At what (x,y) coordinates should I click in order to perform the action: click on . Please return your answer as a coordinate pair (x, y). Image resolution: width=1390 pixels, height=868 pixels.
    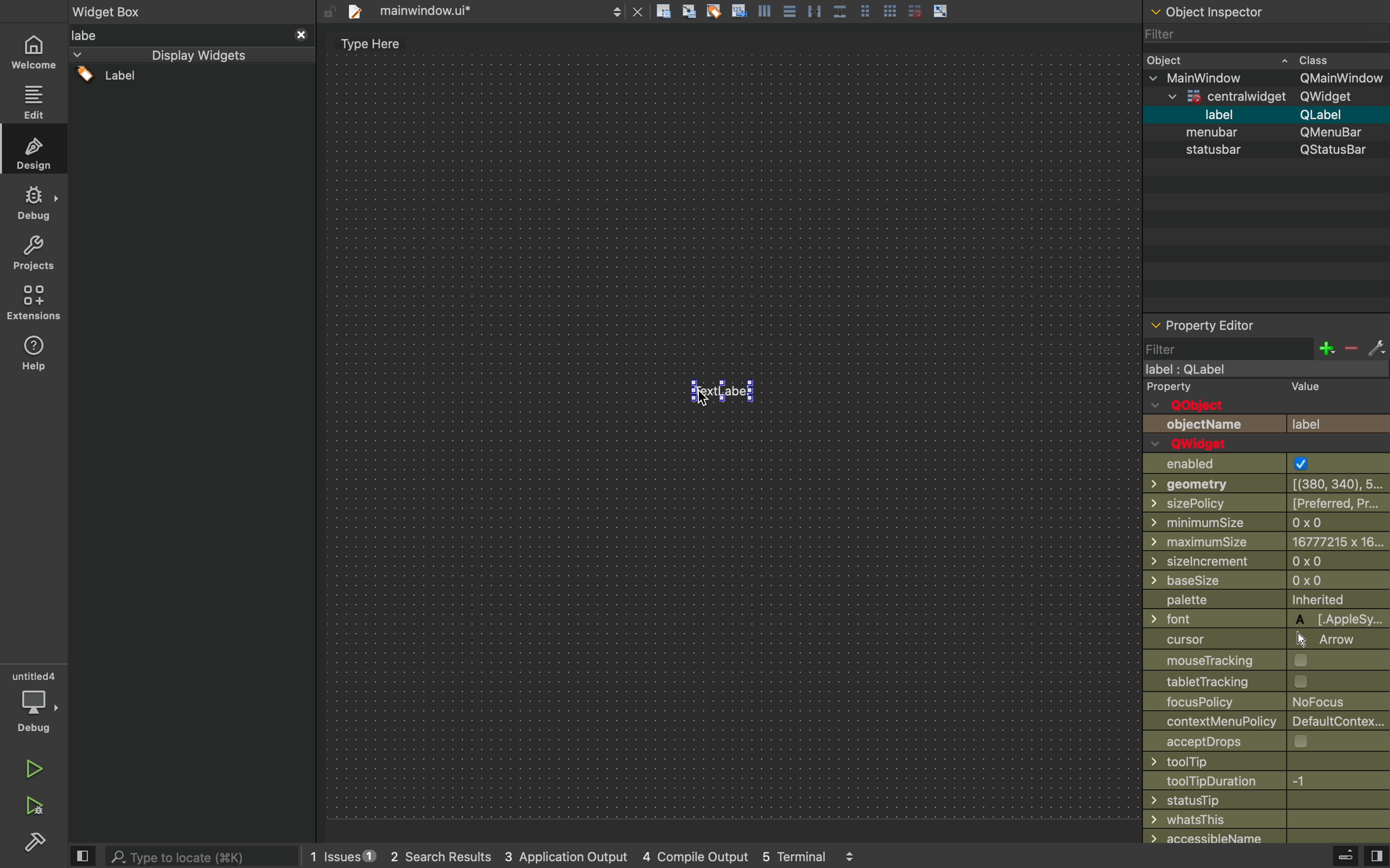
    Looking at the image, I should click on (1267, 640).